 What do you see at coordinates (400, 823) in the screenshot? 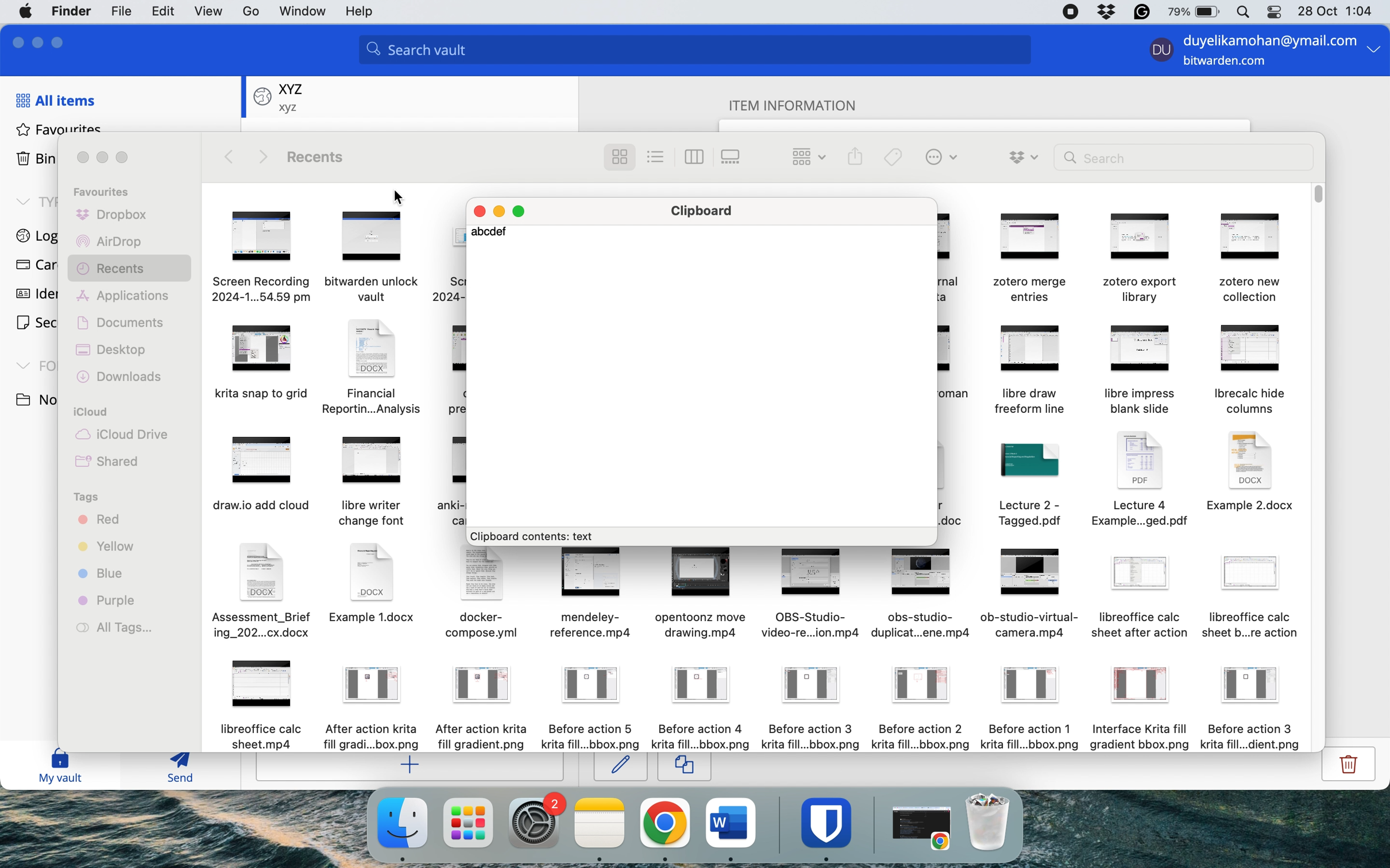
I see `finder` at bounding box center [400, 823].